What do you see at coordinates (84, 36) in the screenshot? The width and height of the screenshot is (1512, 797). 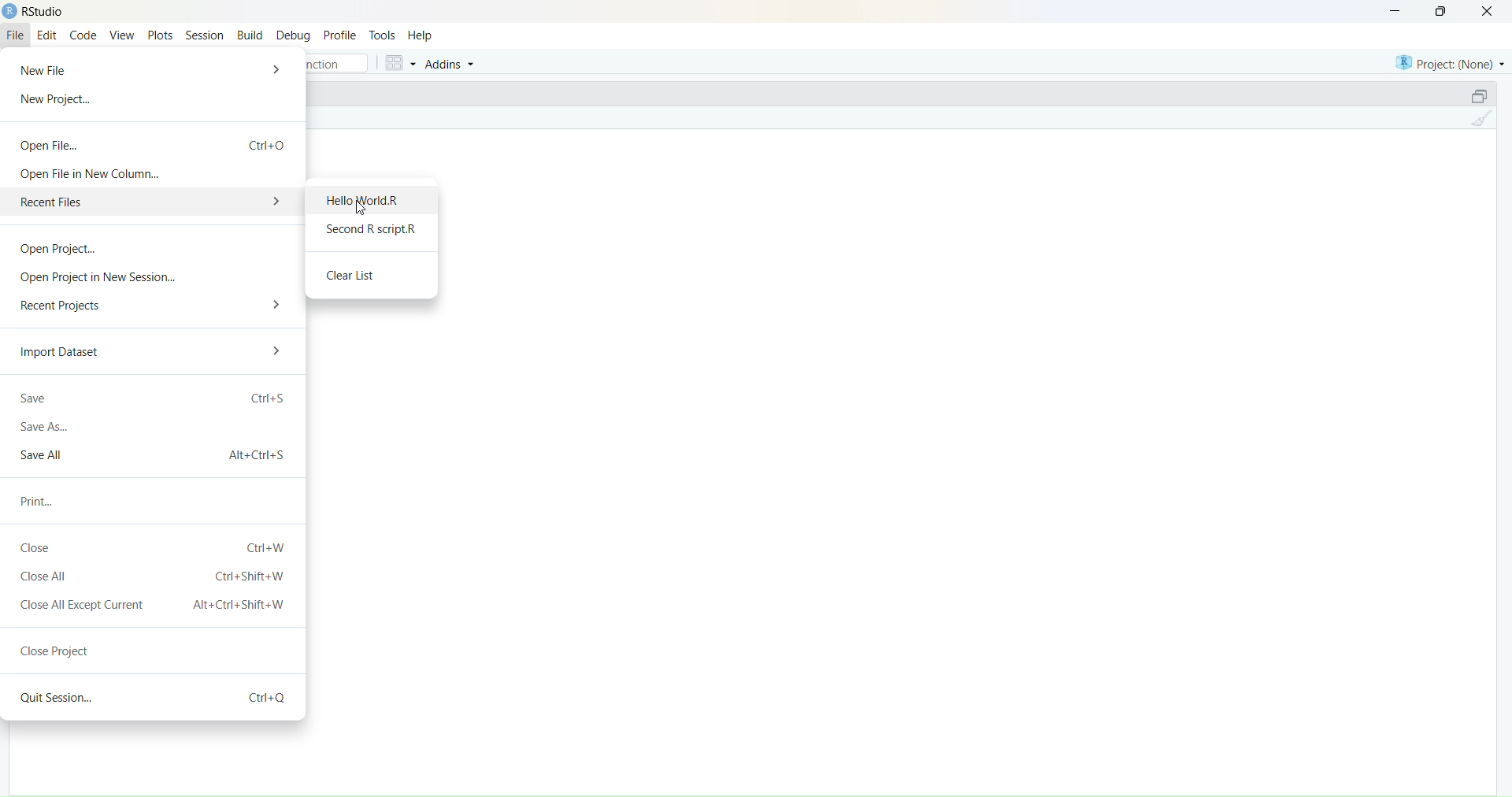 I see `Code` at bounding box center [84, 36].